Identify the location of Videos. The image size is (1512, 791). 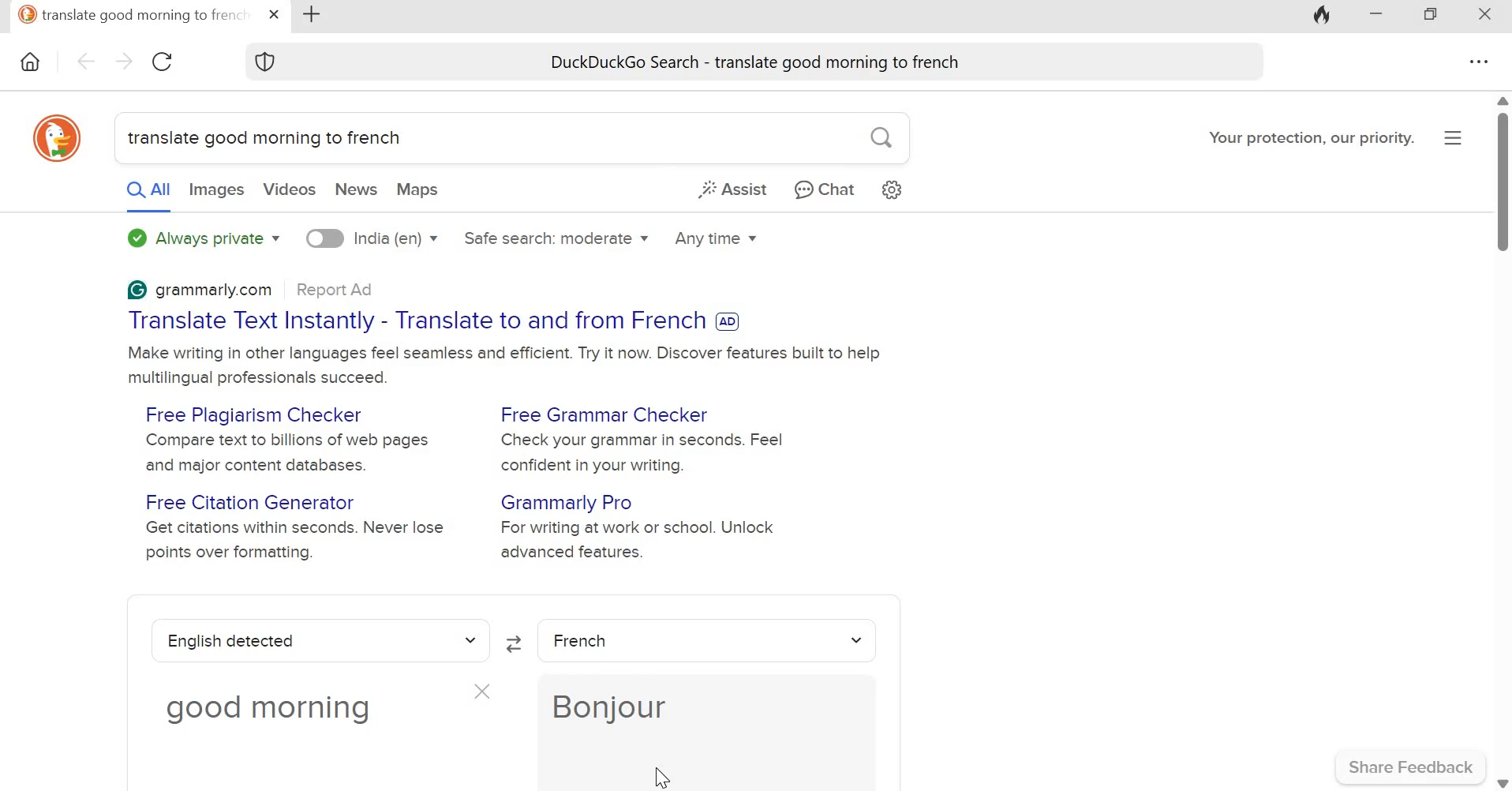
(289, 188).